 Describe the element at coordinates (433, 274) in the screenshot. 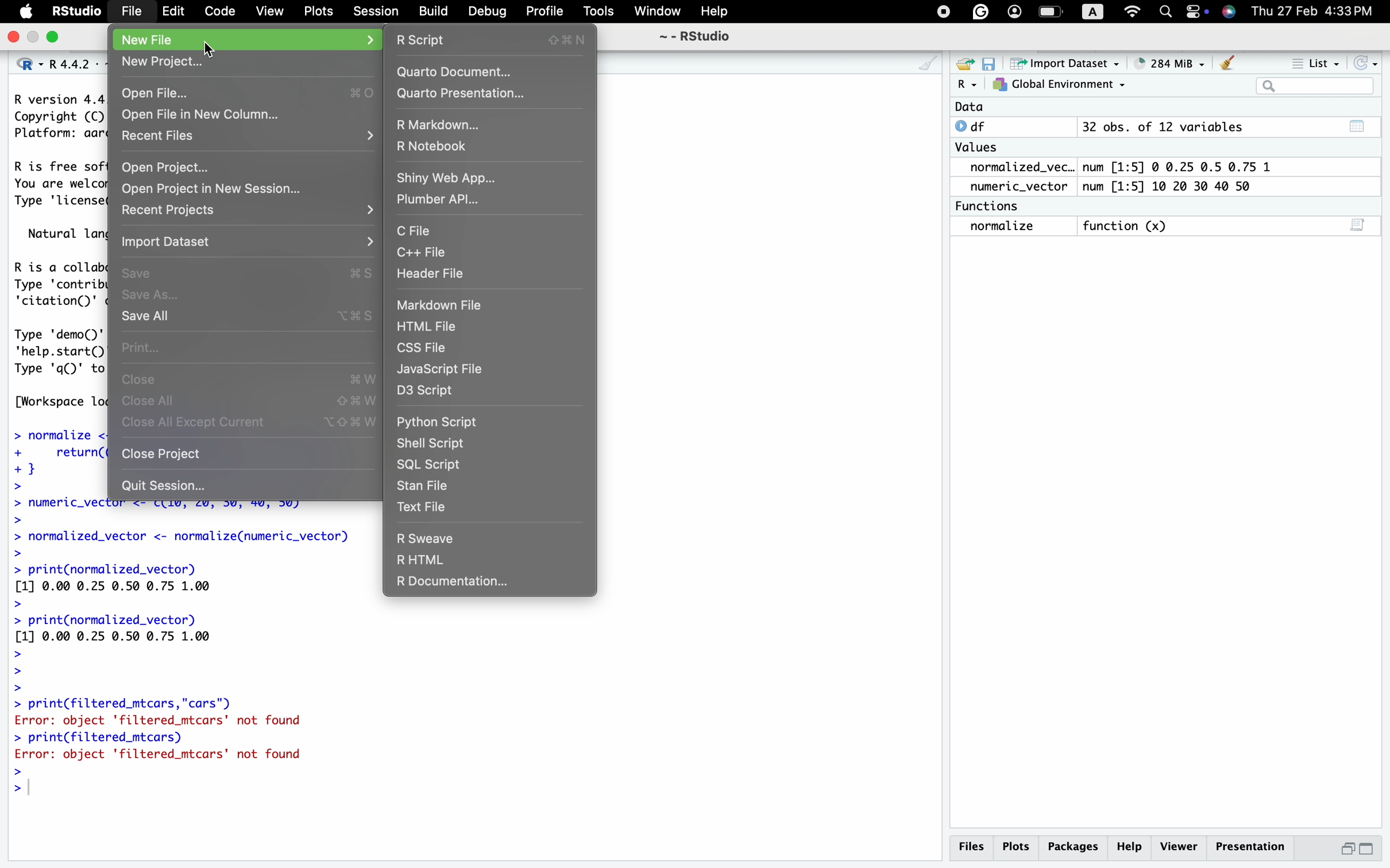

I see `Header File` at that location.